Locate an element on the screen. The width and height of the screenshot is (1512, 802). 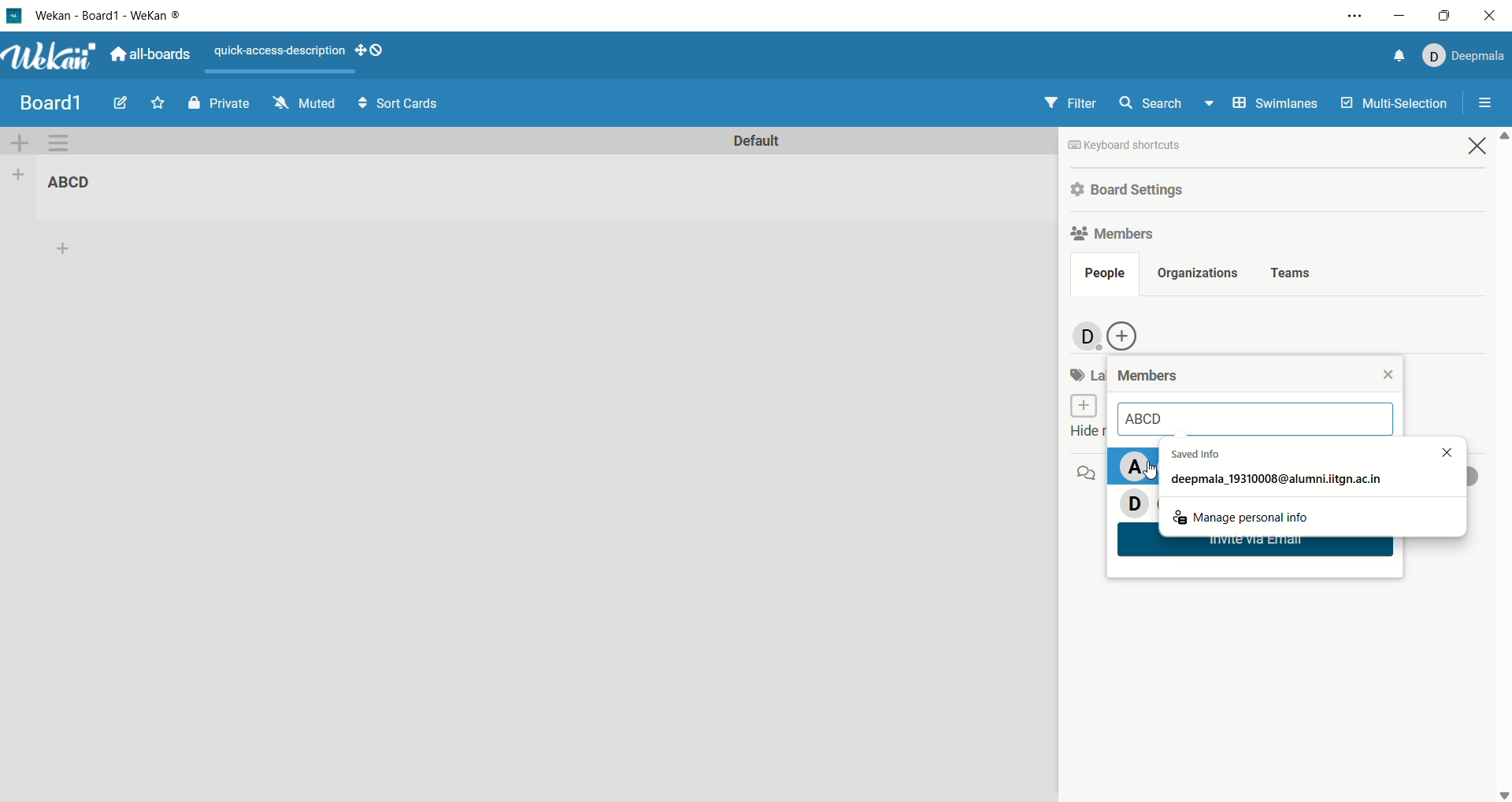
close is located at coordinates (1478, 145).